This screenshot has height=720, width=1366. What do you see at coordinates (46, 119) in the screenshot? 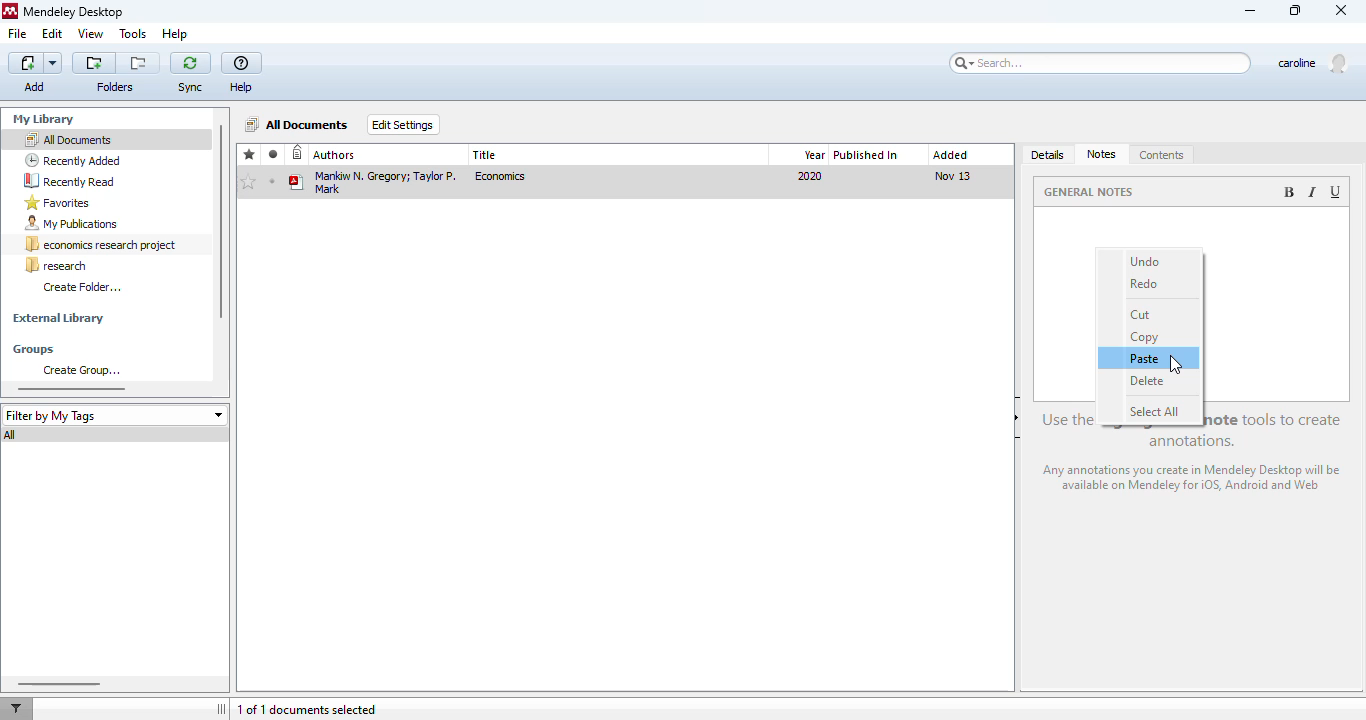
I see `my library` at bounding box center [46, 119].